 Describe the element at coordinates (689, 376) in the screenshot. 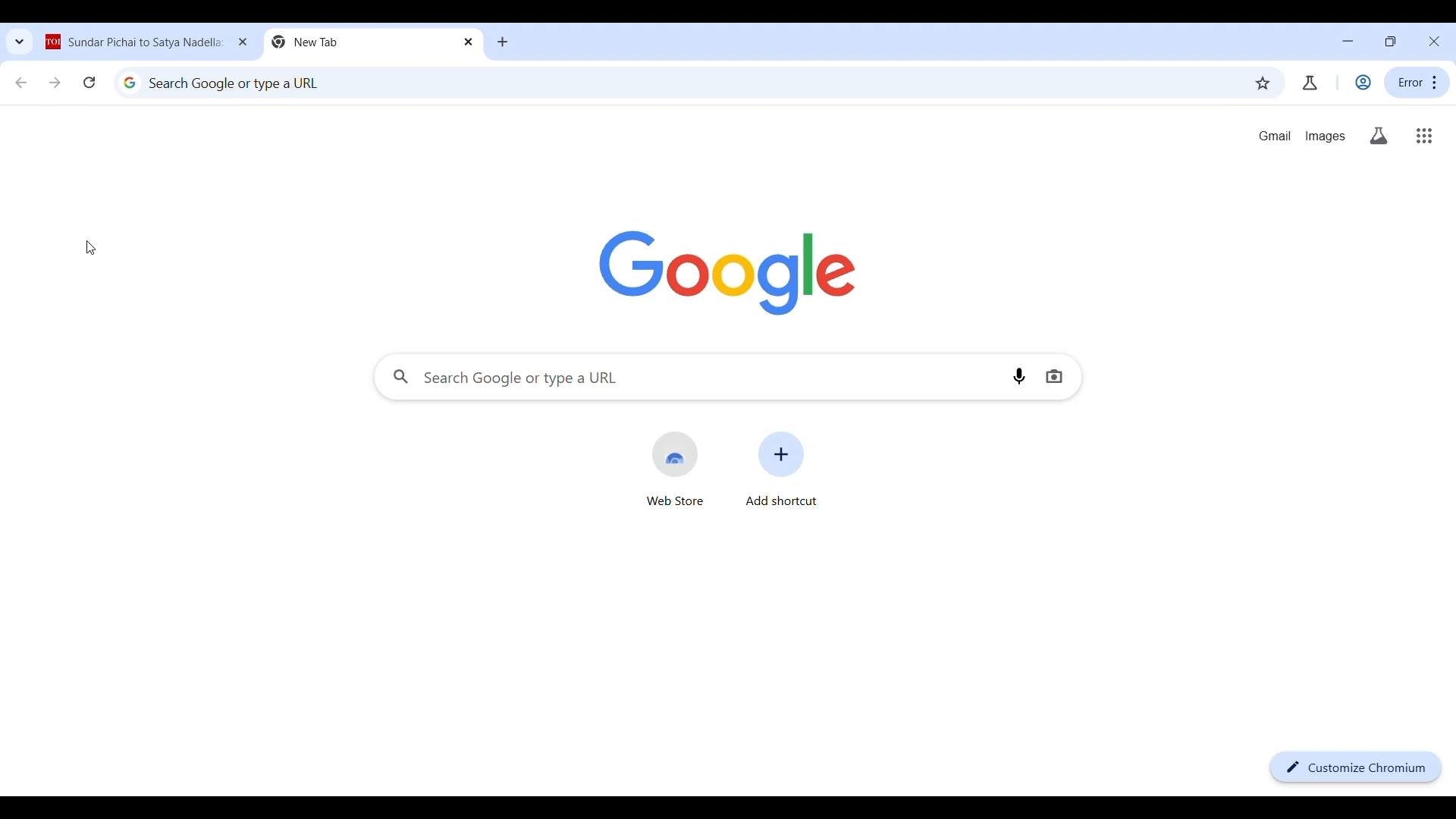

I see `Search Google search engine box` at that location.